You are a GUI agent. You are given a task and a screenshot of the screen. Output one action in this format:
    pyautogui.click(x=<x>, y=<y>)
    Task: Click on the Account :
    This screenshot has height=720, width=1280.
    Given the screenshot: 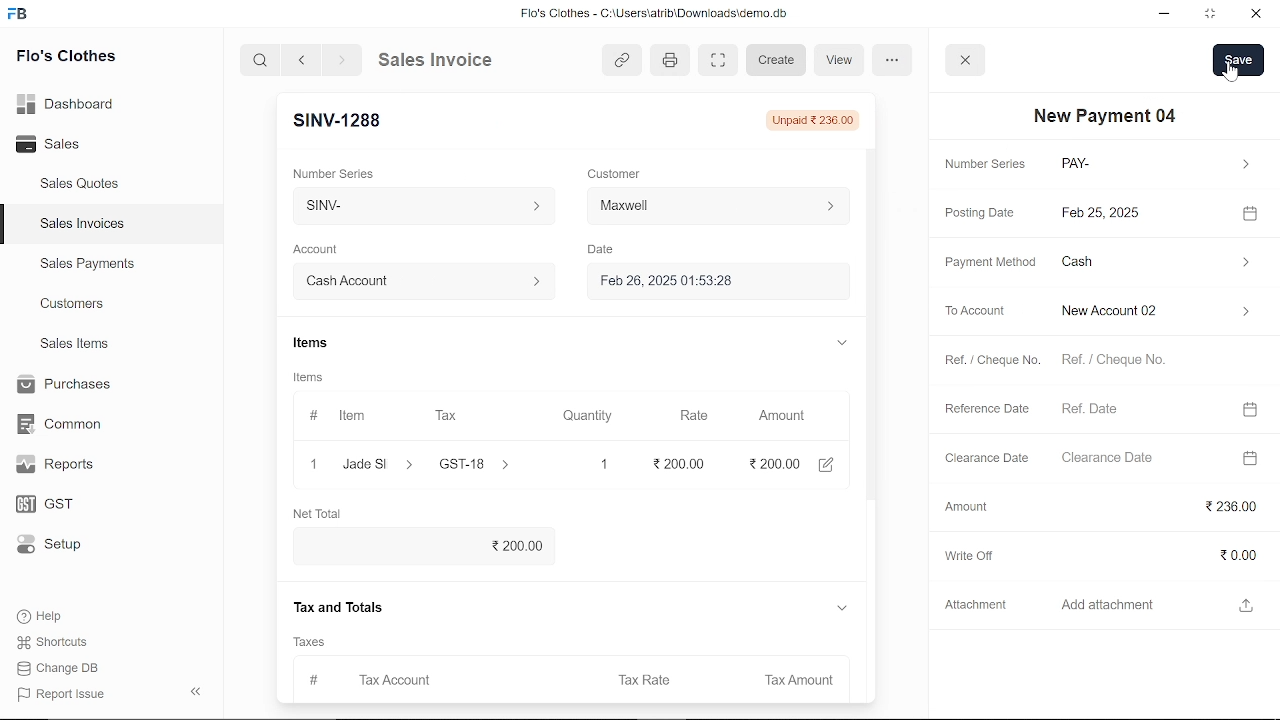 What is the action you would take?
    pyautogui.click(x=422, y=281)
    